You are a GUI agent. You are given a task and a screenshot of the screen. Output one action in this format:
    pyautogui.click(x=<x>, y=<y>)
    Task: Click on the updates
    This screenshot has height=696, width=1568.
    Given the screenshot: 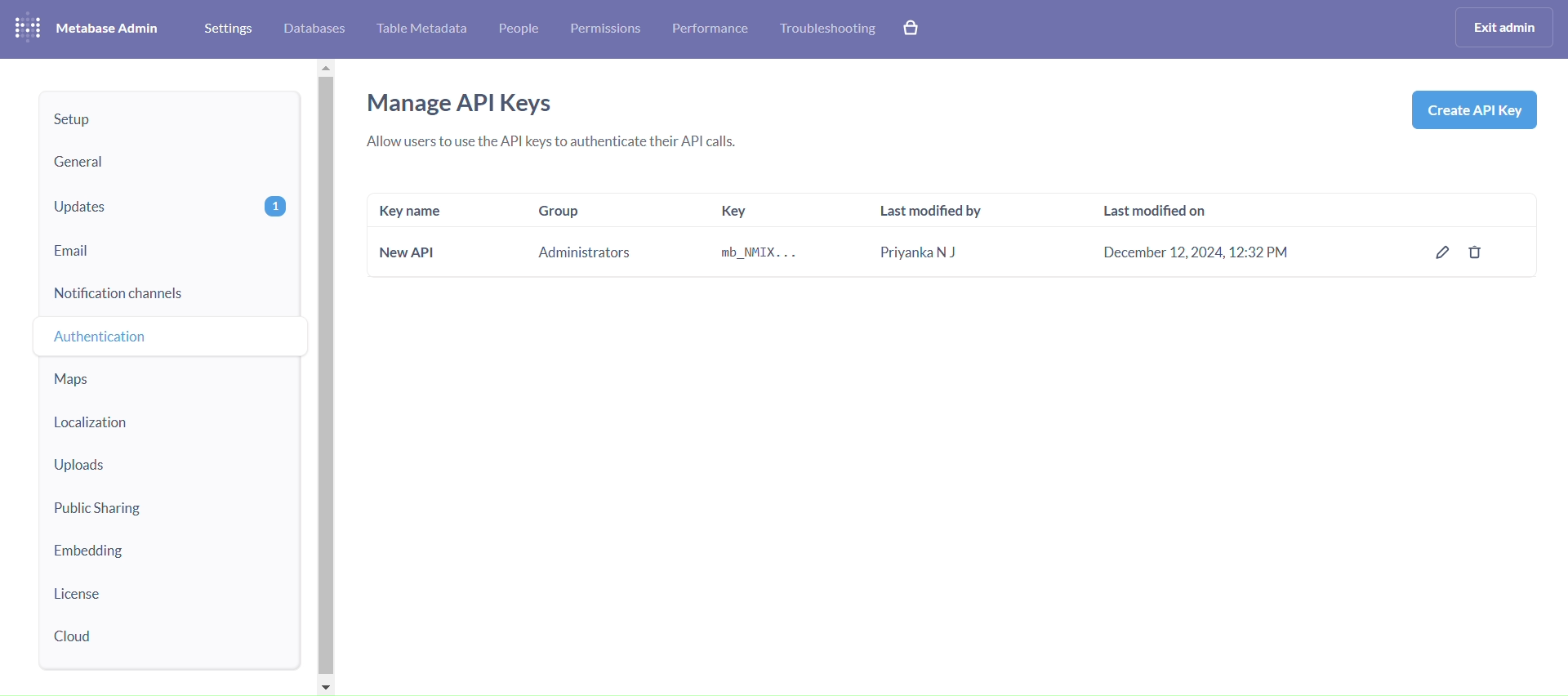 What is the action you would take?
    pyautogui.click(x=170, y=207)
    